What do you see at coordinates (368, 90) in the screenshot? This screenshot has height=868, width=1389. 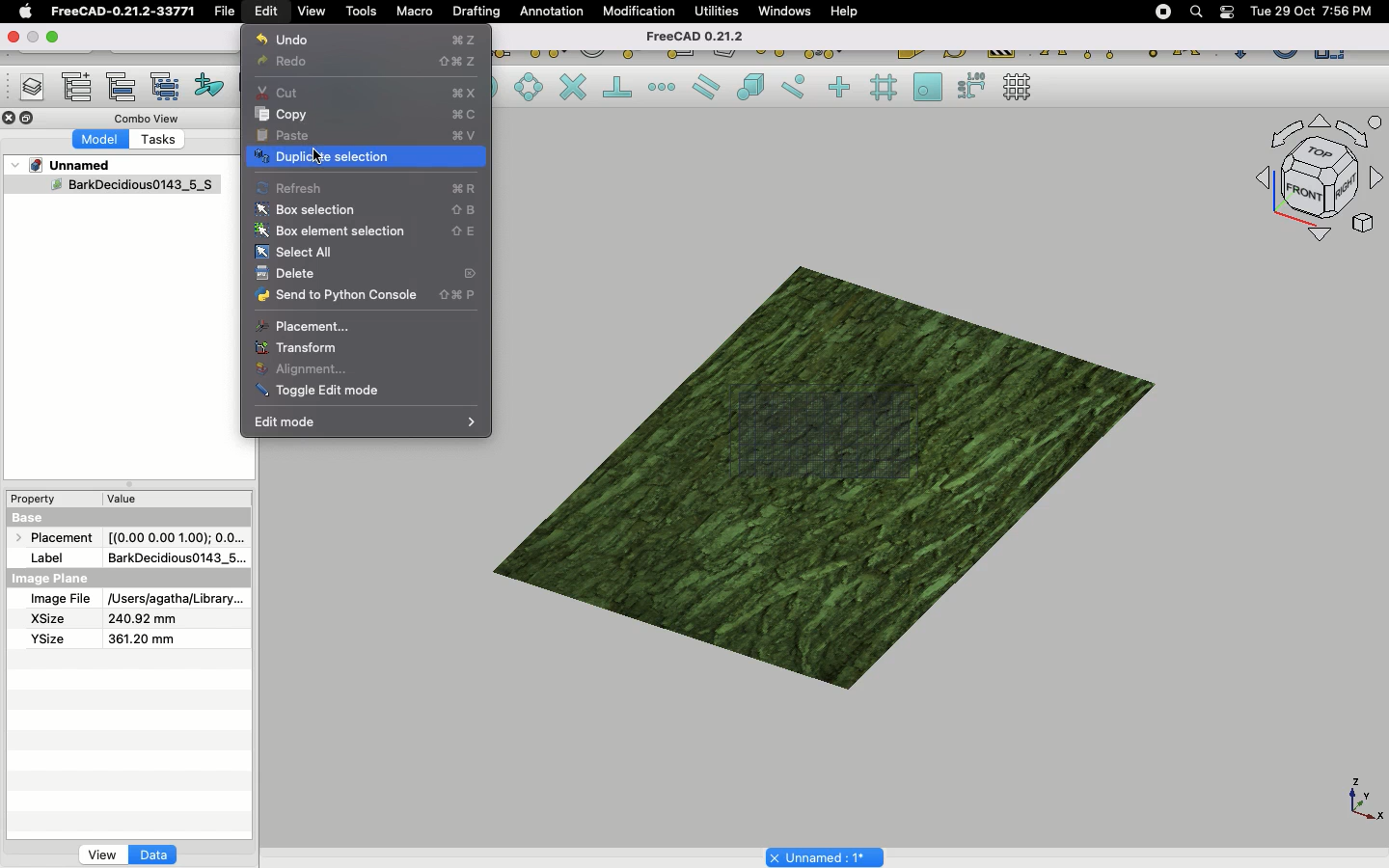 I see `Cut` at bounding box center [368, 90].